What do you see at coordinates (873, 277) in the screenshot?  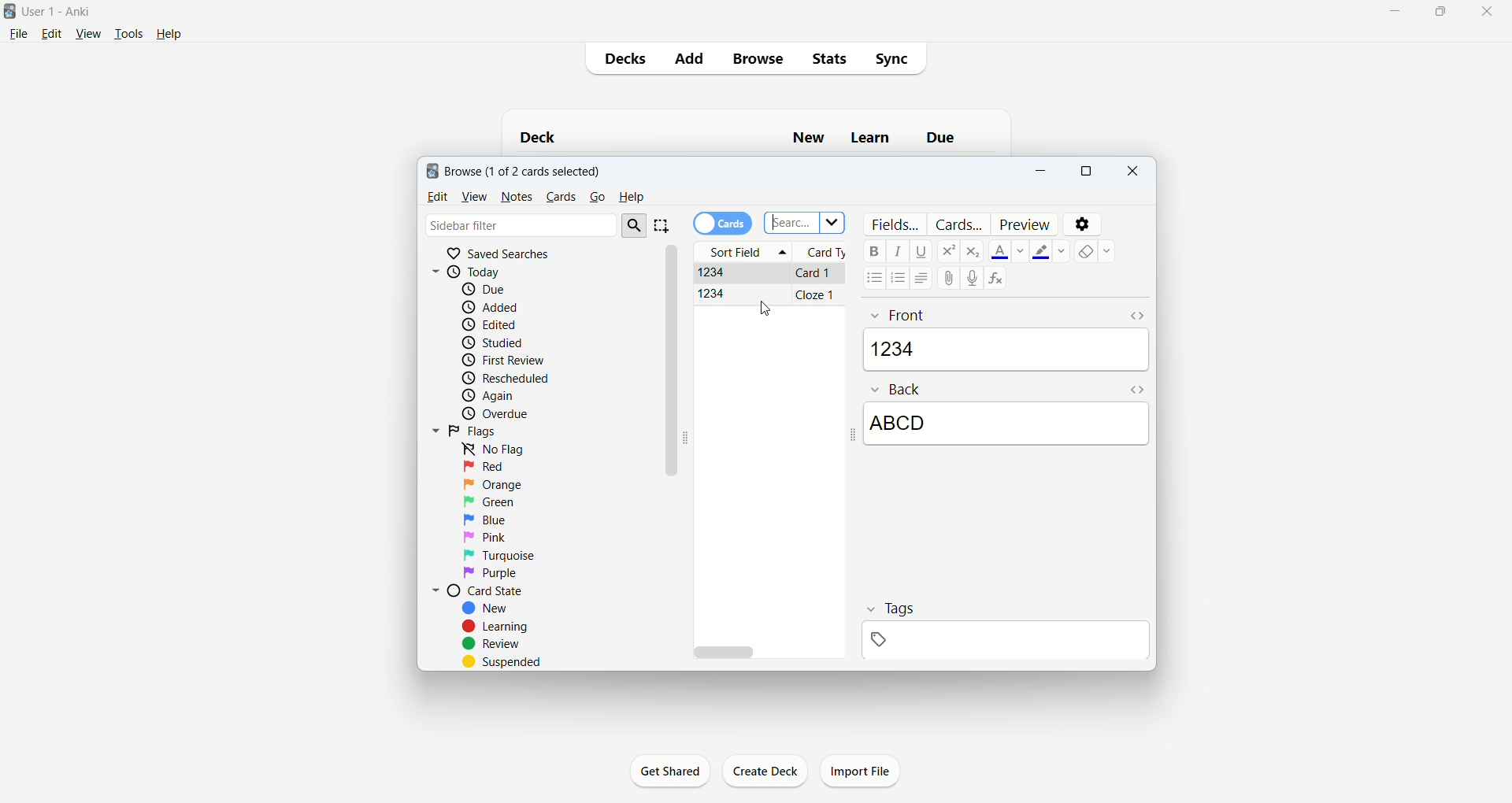 I see `unordered list` at bounding box center [873, 277].